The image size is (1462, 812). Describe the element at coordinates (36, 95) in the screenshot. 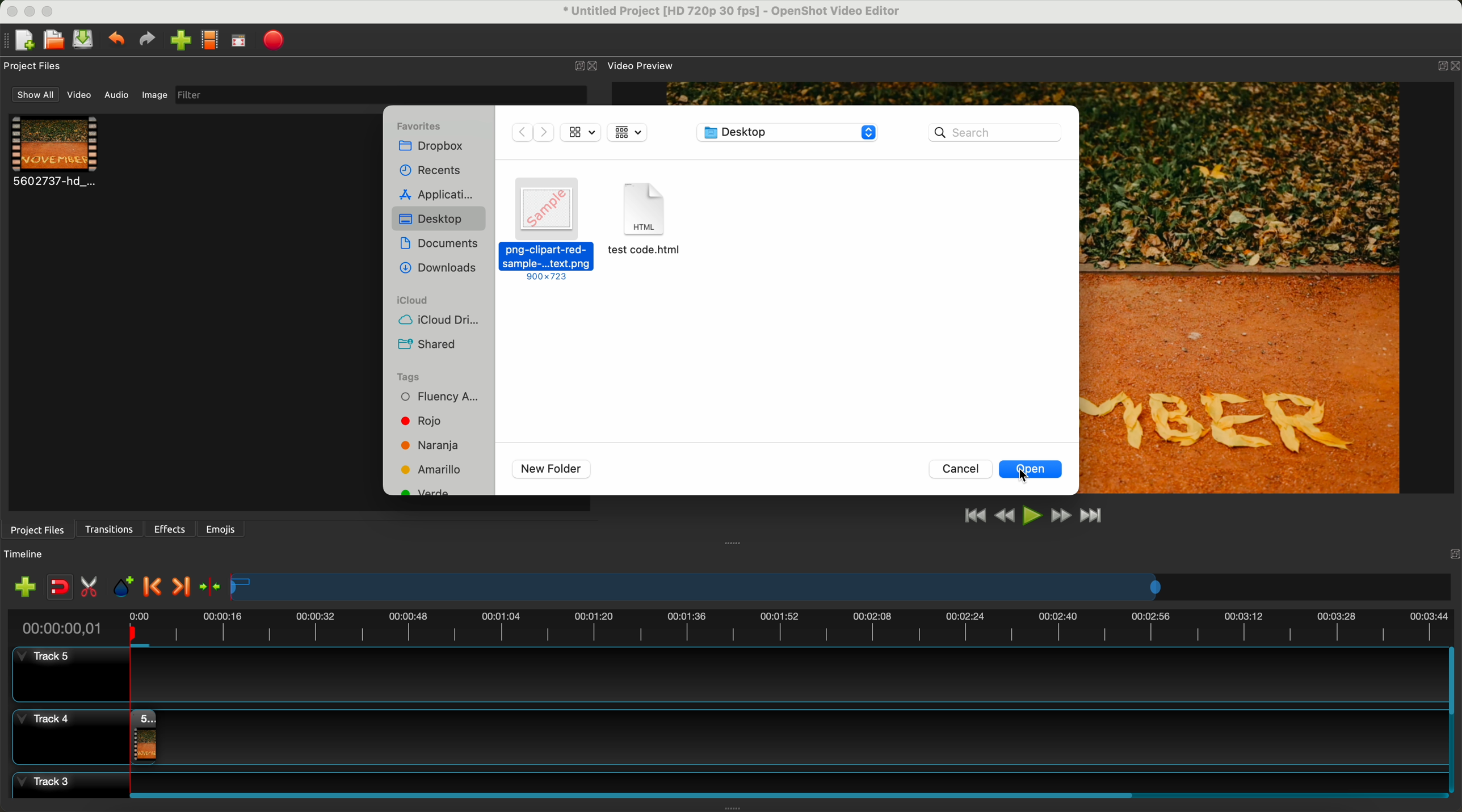

I see `show all` at that location.